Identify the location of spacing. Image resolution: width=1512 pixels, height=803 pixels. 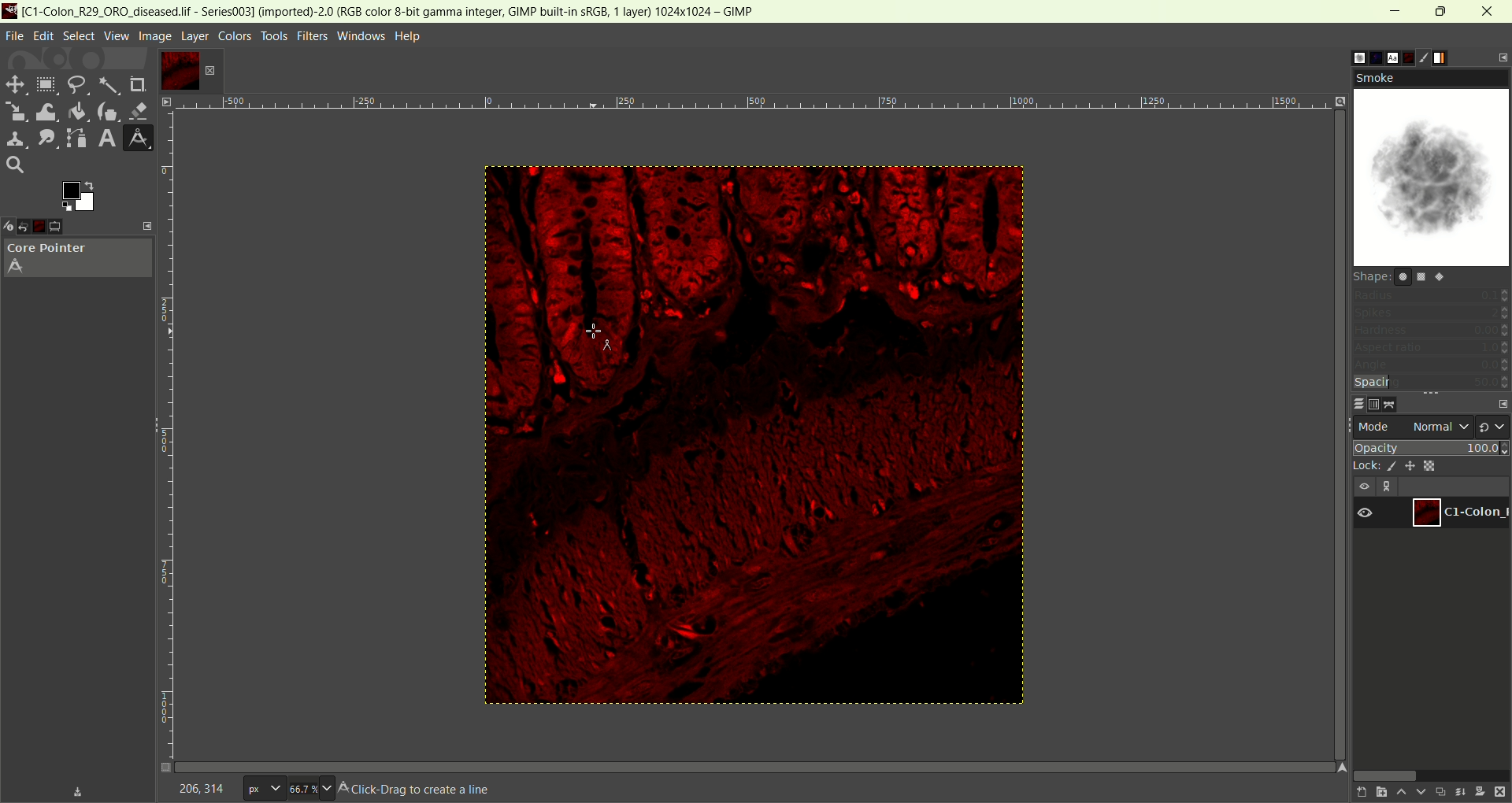
(1429, 383).